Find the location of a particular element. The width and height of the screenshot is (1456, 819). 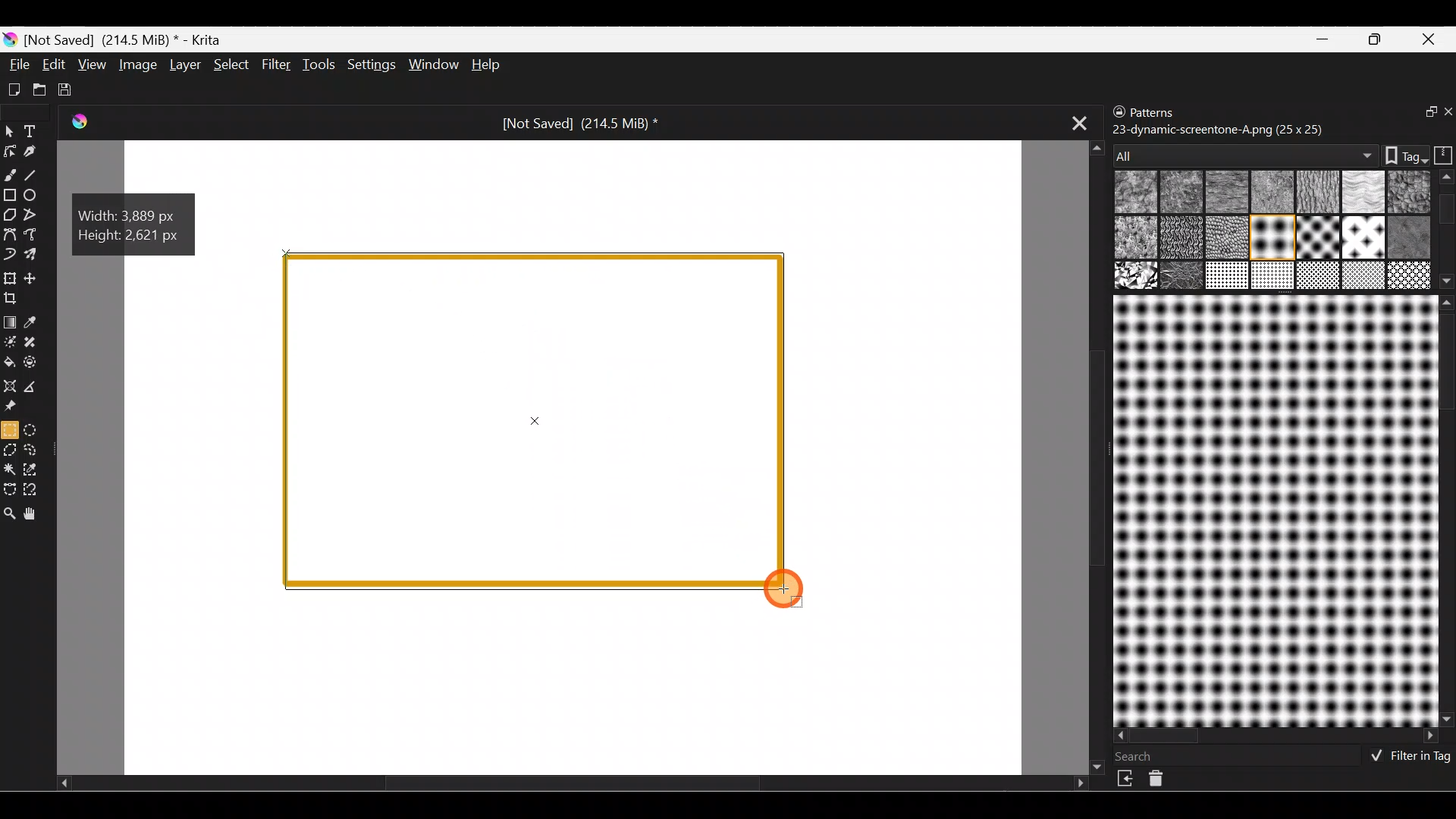

Freehand path tool is located at coordinates (33, 234).